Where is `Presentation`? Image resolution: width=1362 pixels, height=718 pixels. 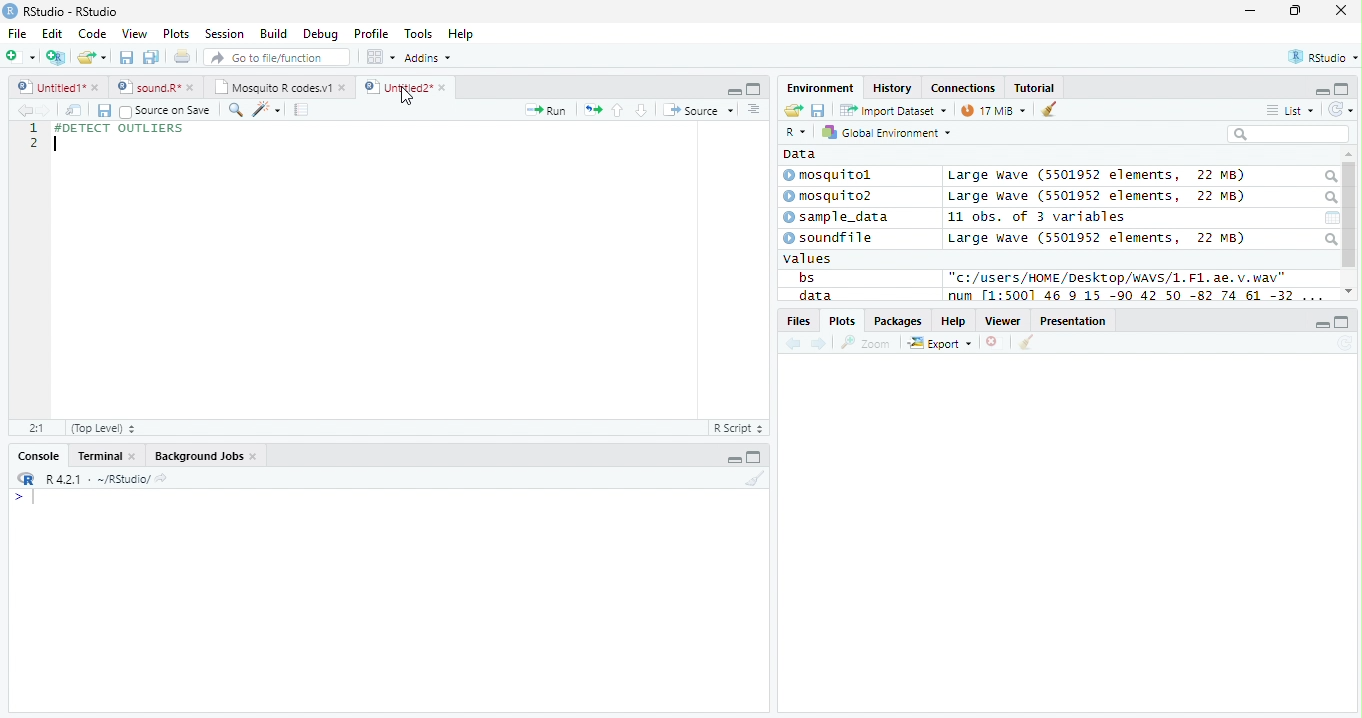 Presentation is located at coordinates (1073, 320).